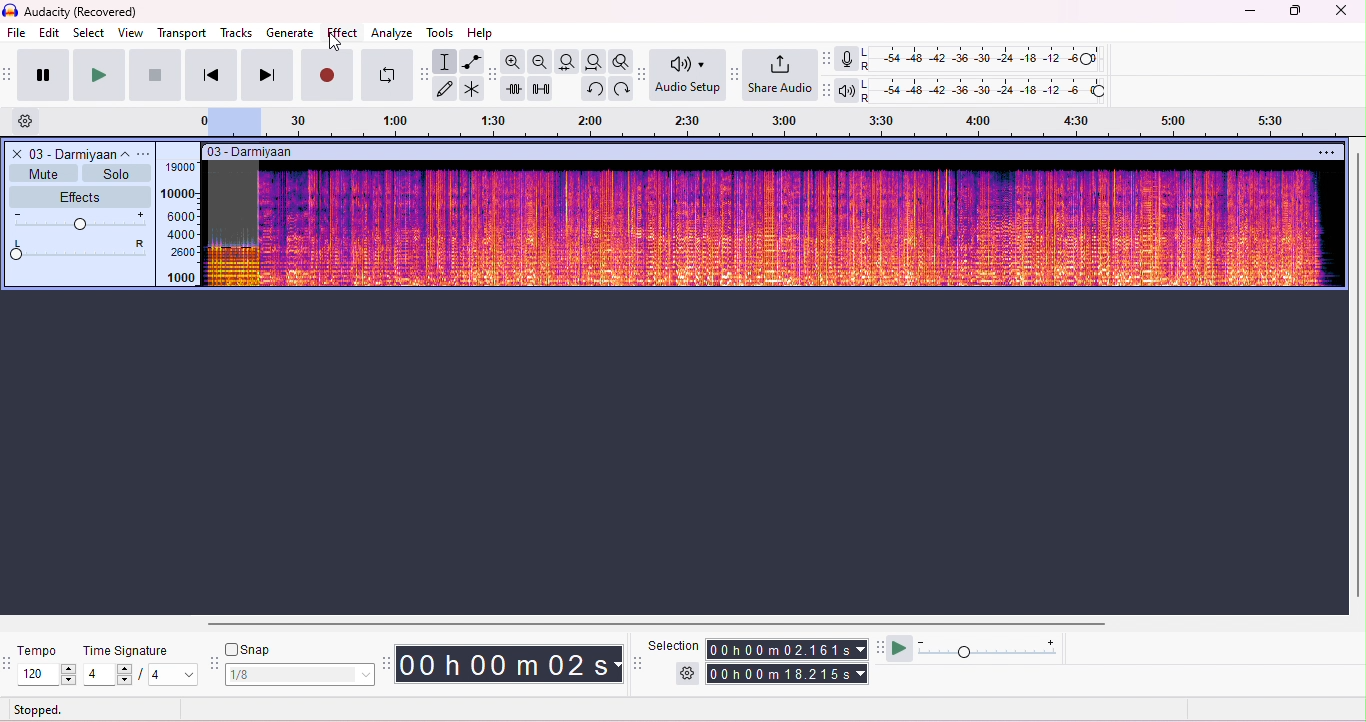  I want to click on mute, so click(44, 172).